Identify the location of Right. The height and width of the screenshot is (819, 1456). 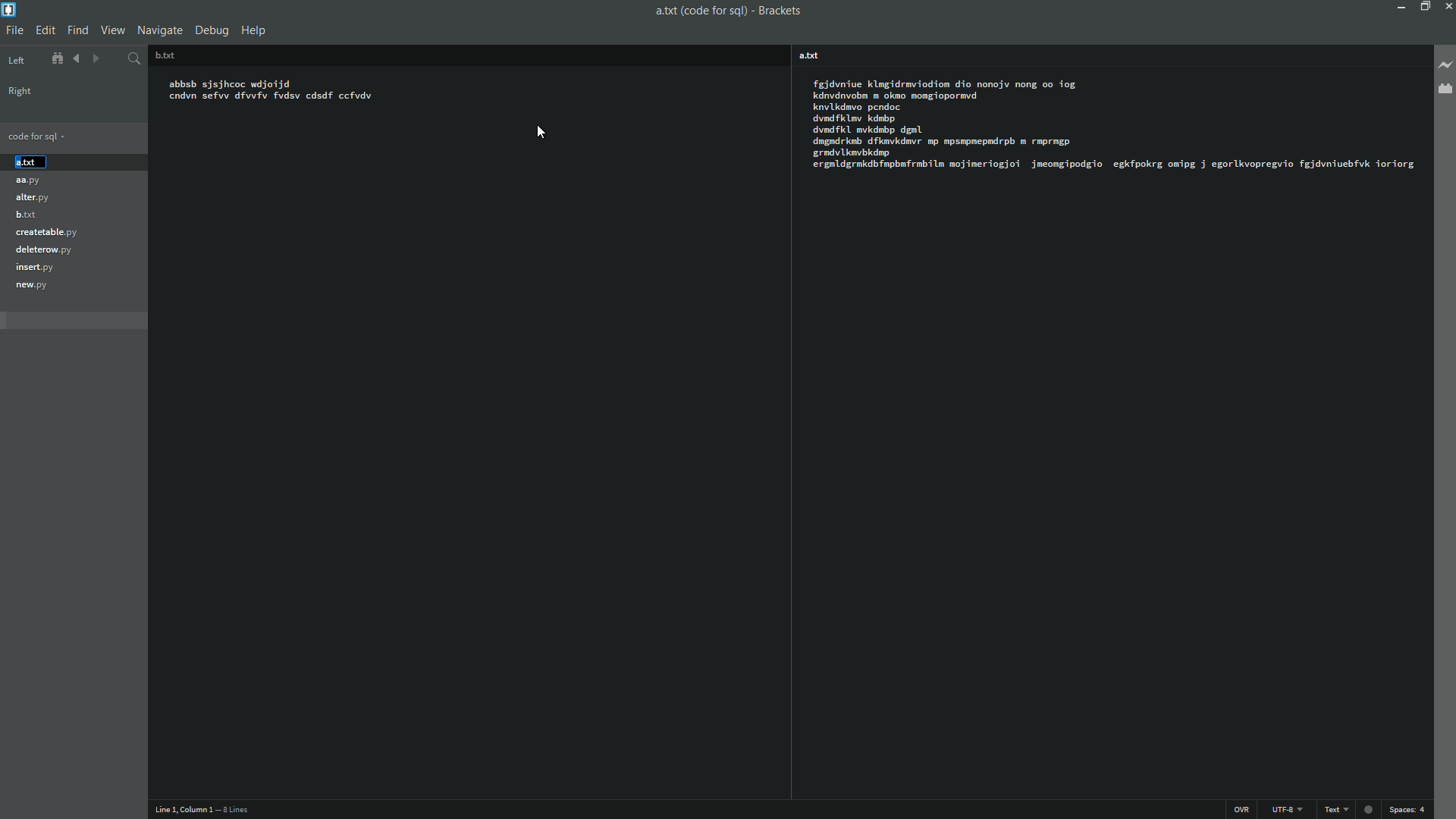
(20, 91).